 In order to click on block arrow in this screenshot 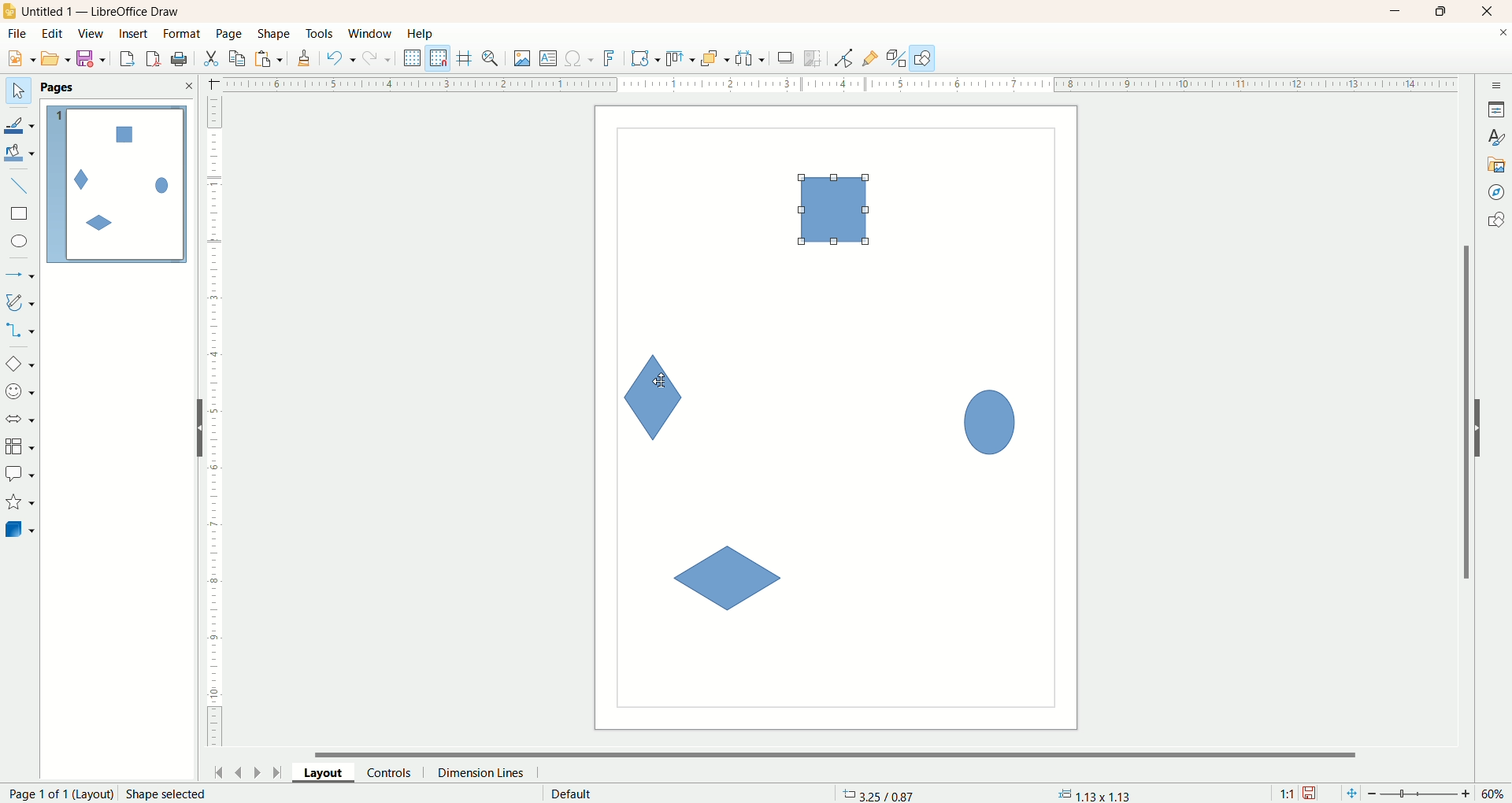, I will do `click(23, 420)`.